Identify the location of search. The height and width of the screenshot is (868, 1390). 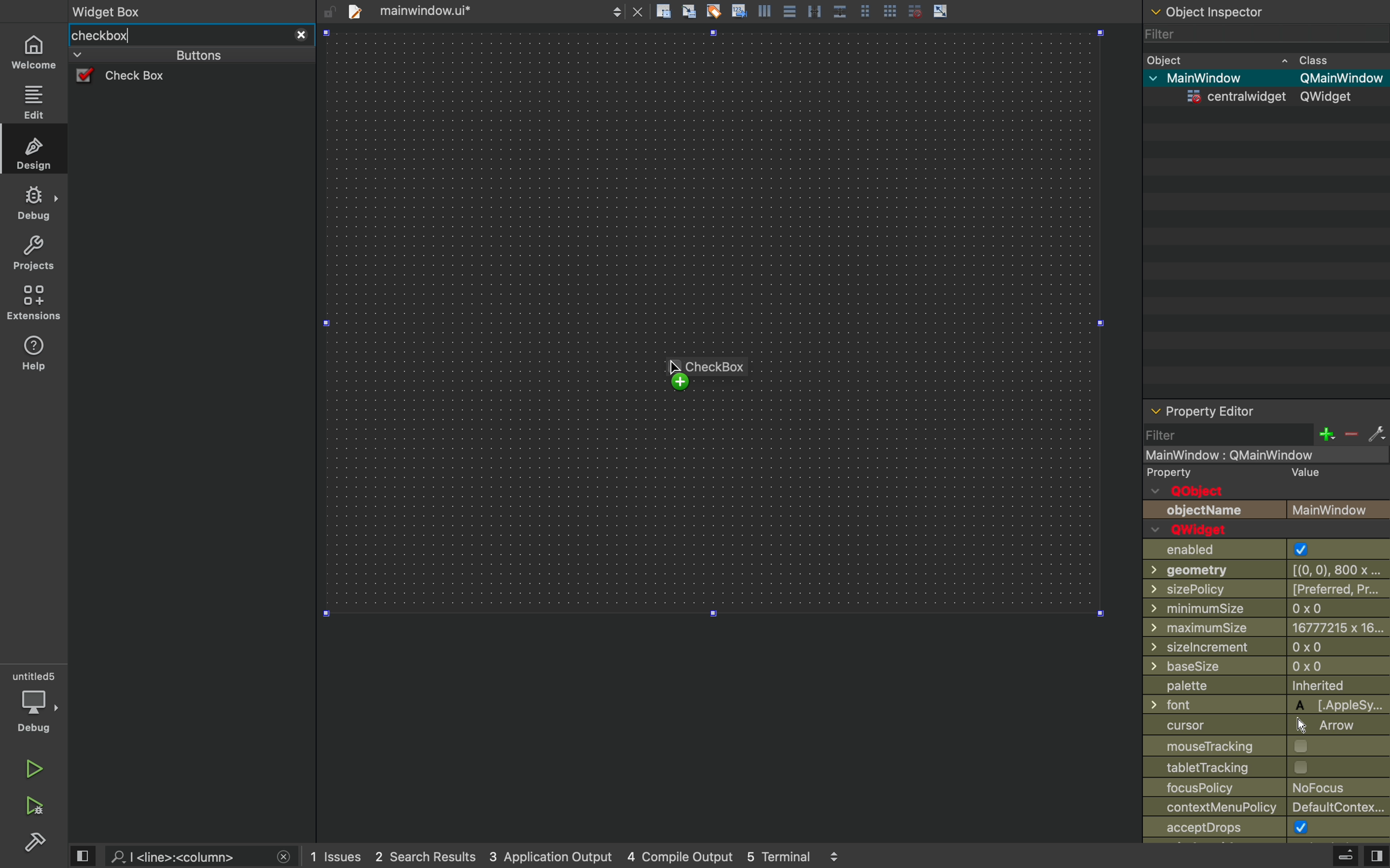
(184, 857).